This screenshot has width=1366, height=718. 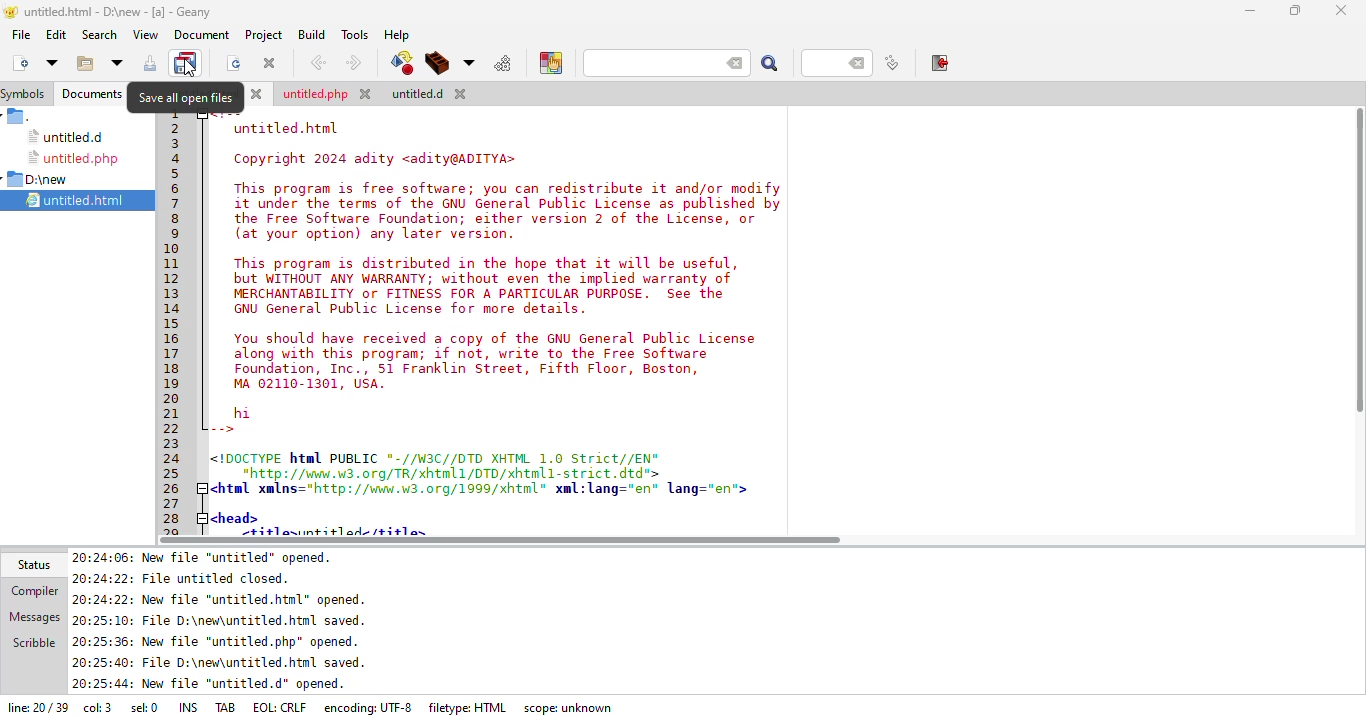 What do you see at coordinates (97, 707) in the screenshot?
I see `column` at bounding box center [97, 707].